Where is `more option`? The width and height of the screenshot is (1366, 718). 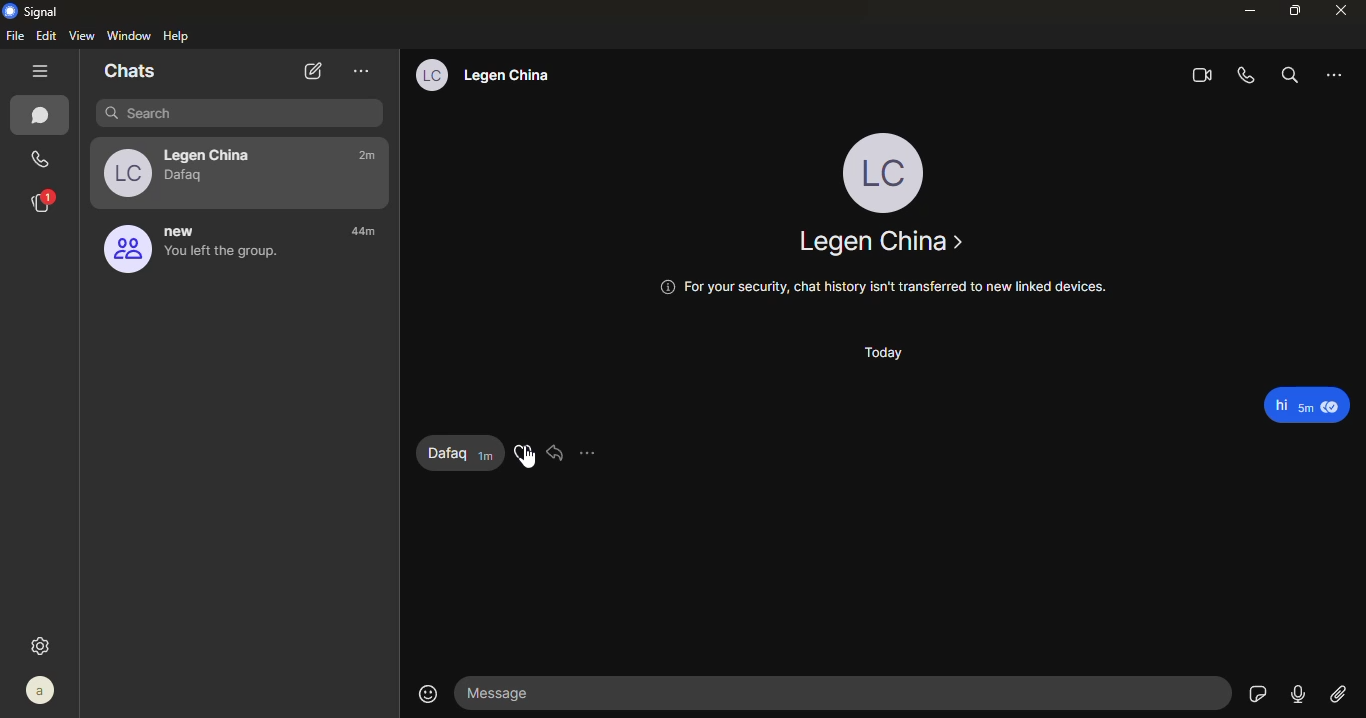
more option is located at coordinates (362, 70).